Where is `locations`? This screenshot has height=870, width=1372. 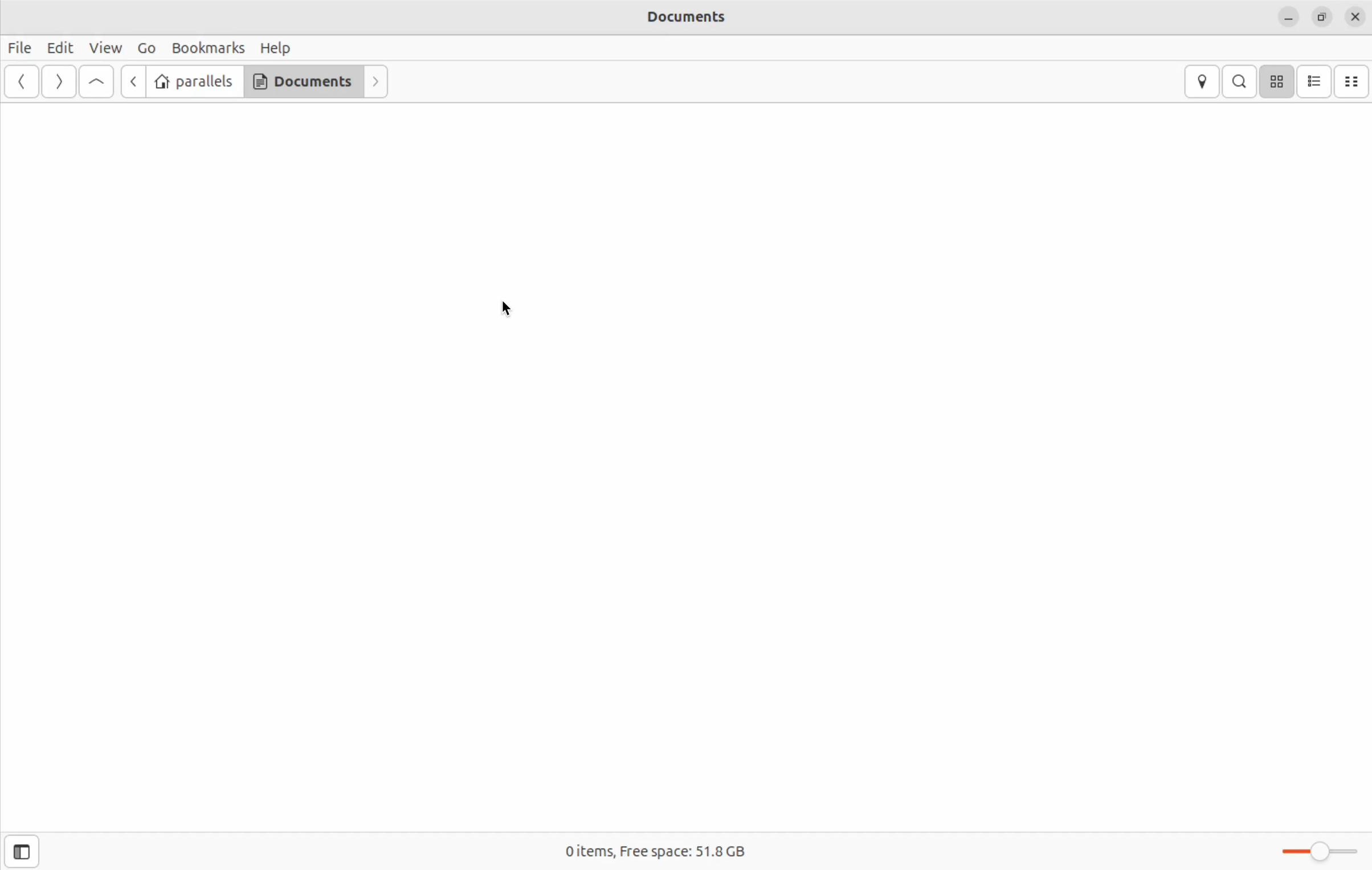 locations is located at coordinates (1205, 82).